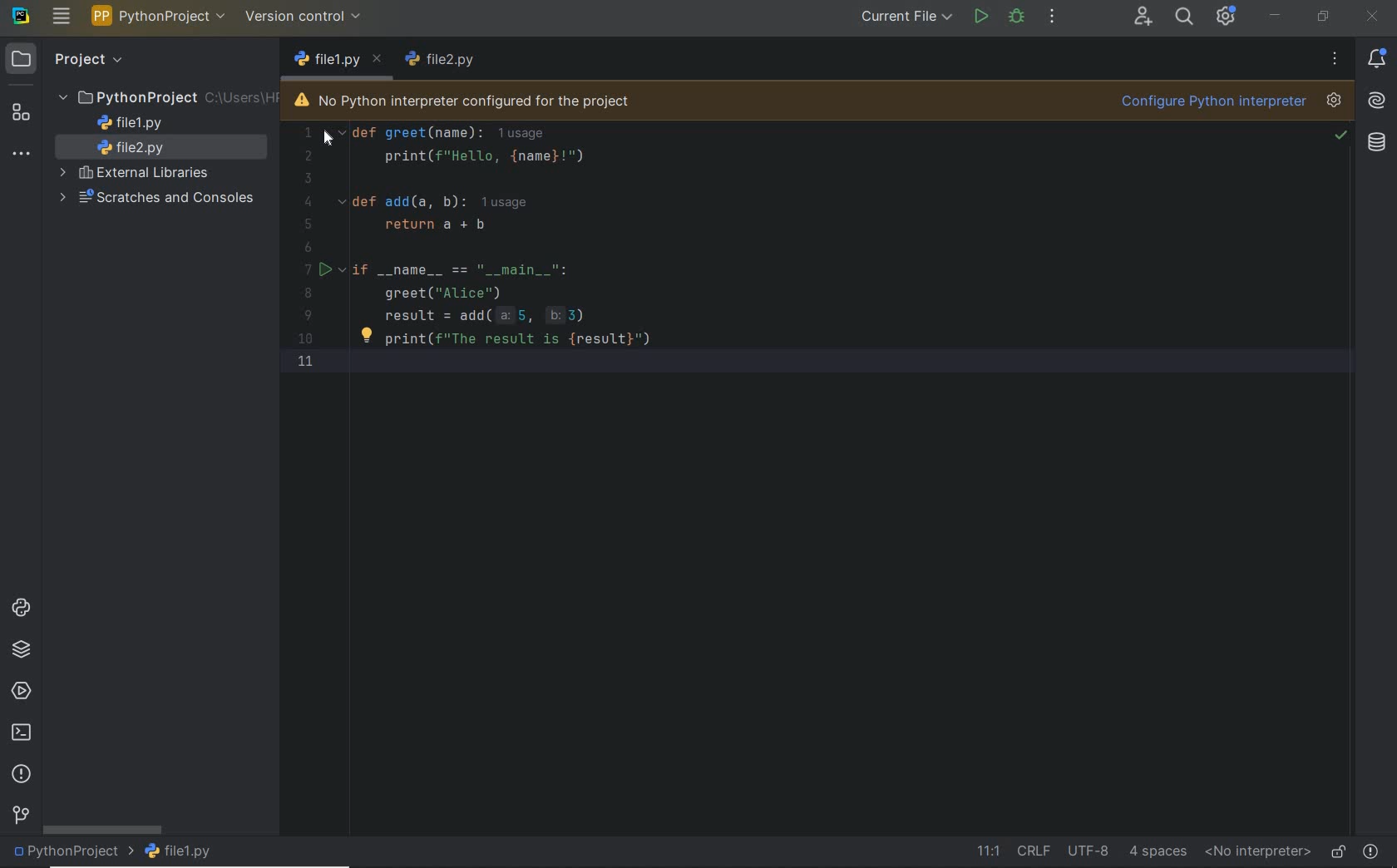 This screenshot has height=868, width=1397. What do you see at coordinates (1380, 58) in the screenshot?
I see `notifications` at bounding box center [1380, 58].